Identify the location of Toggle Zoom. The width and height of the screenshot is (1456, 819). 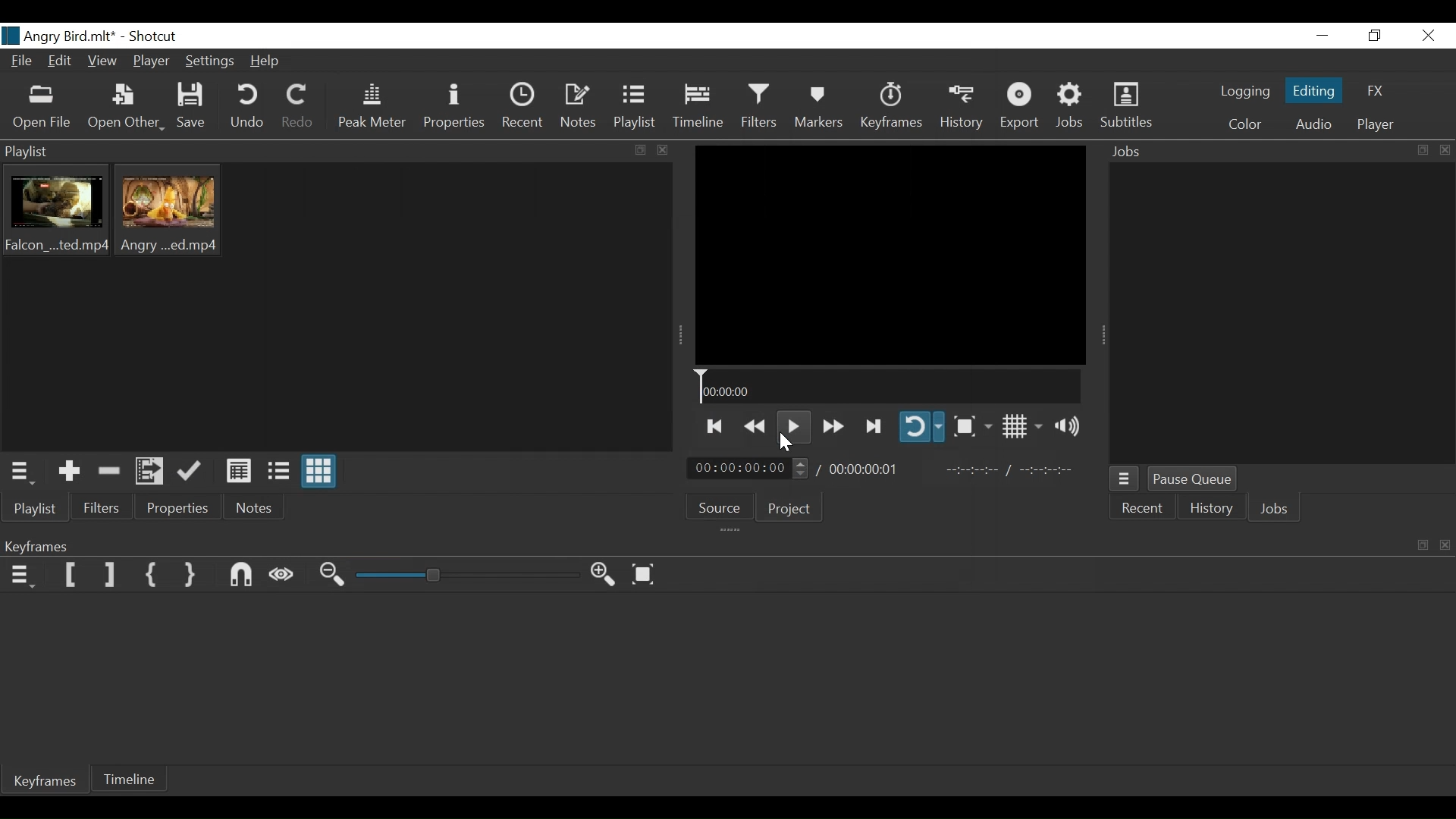
(975, 428).